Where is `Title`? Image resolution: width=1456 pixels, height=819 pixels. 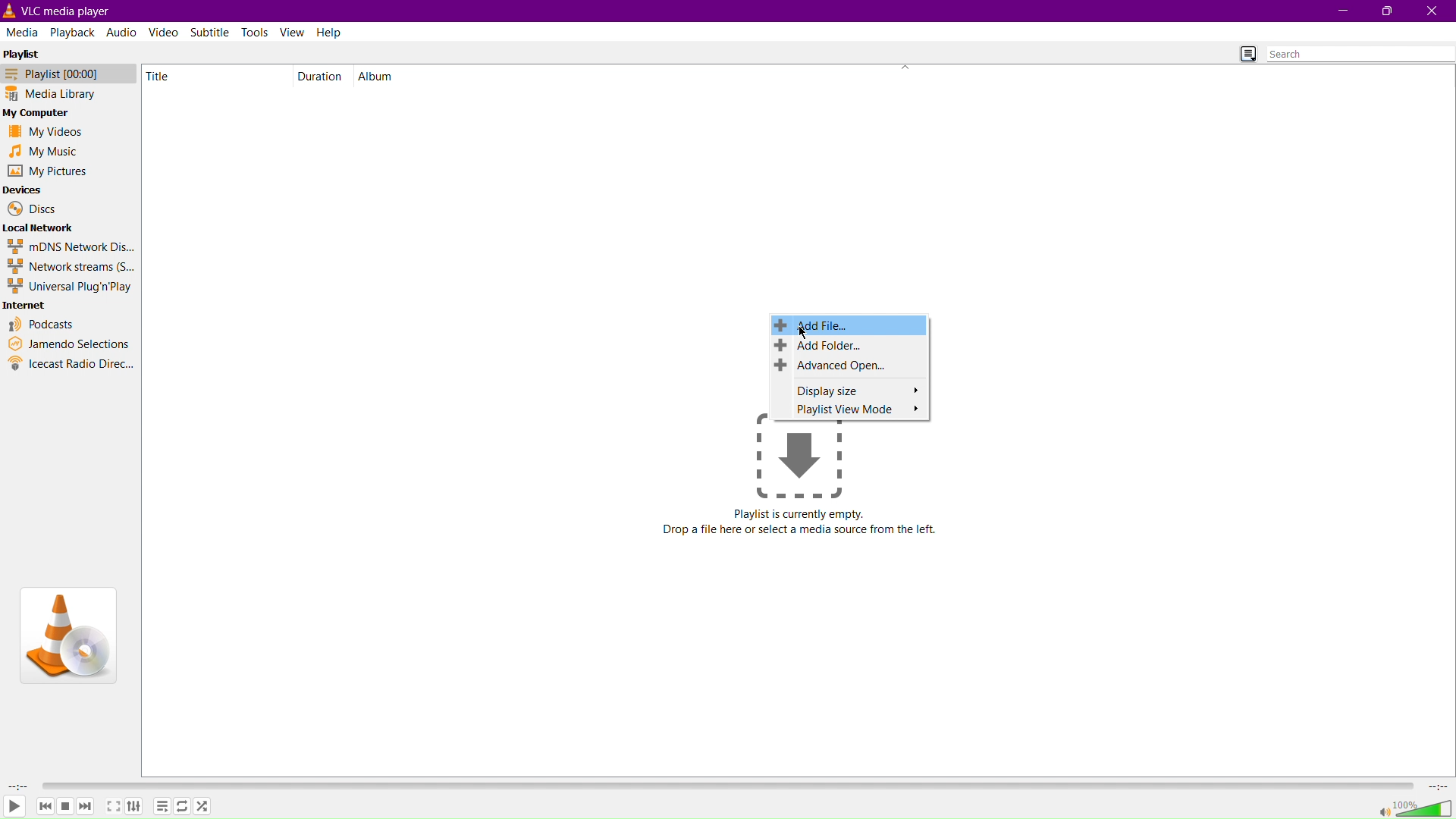
Title is located at coordinates (171, 76).